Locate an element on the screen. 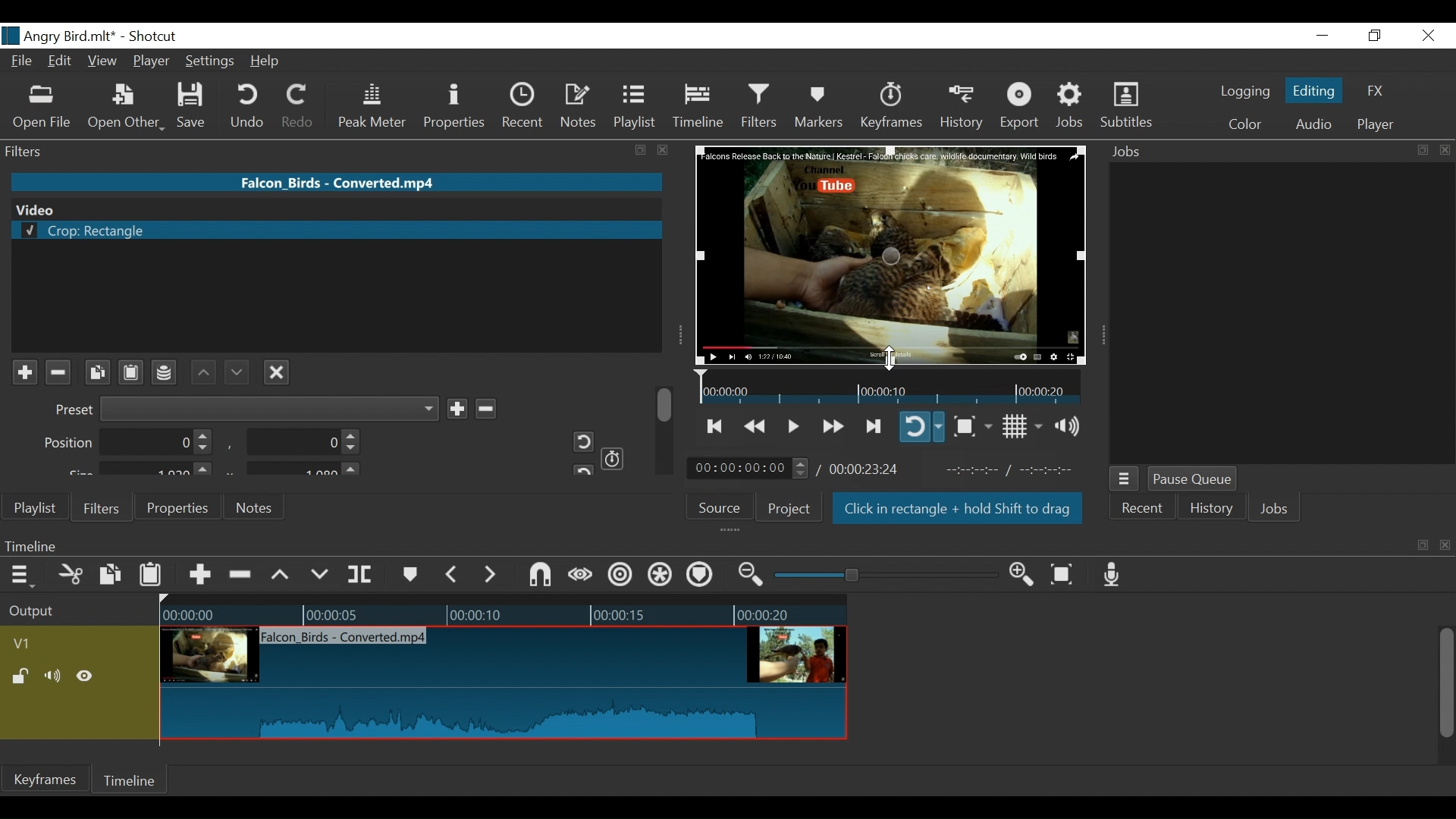  up is located at coordinates (204, 372).